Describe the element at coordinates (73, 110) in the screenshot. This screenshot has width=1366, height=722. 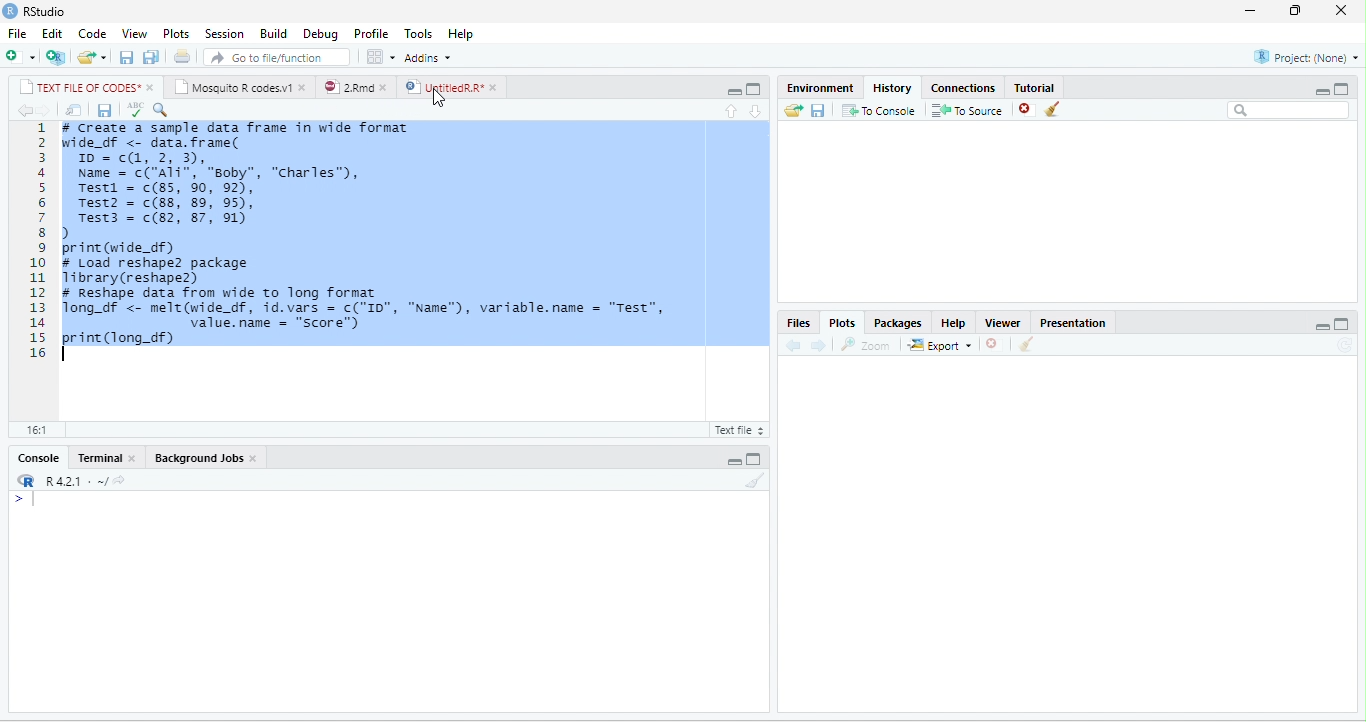
I see `open in new window` at that location.